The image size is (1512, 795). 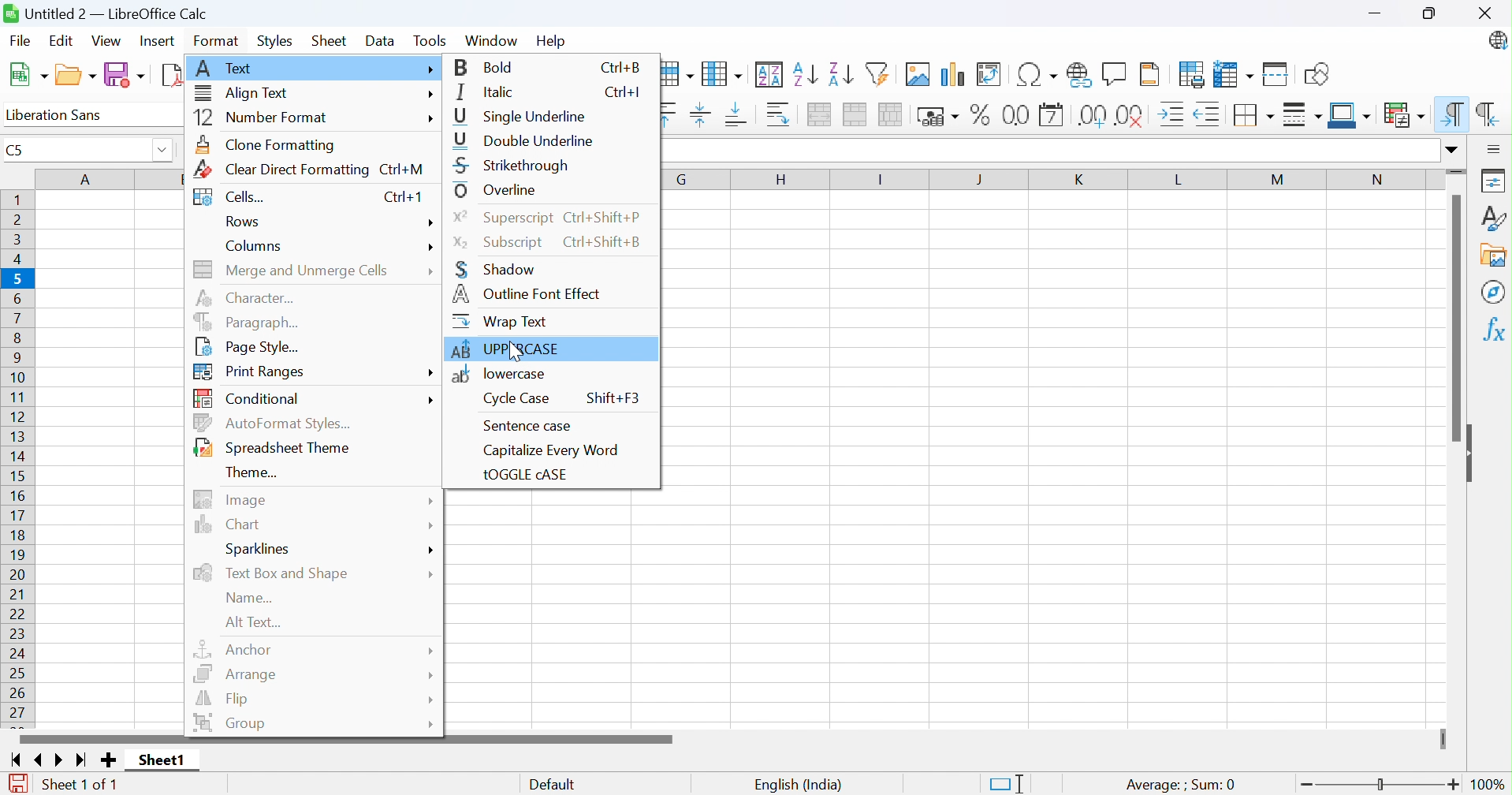 I want to click on Insert chart, so click(x=954, y=74).